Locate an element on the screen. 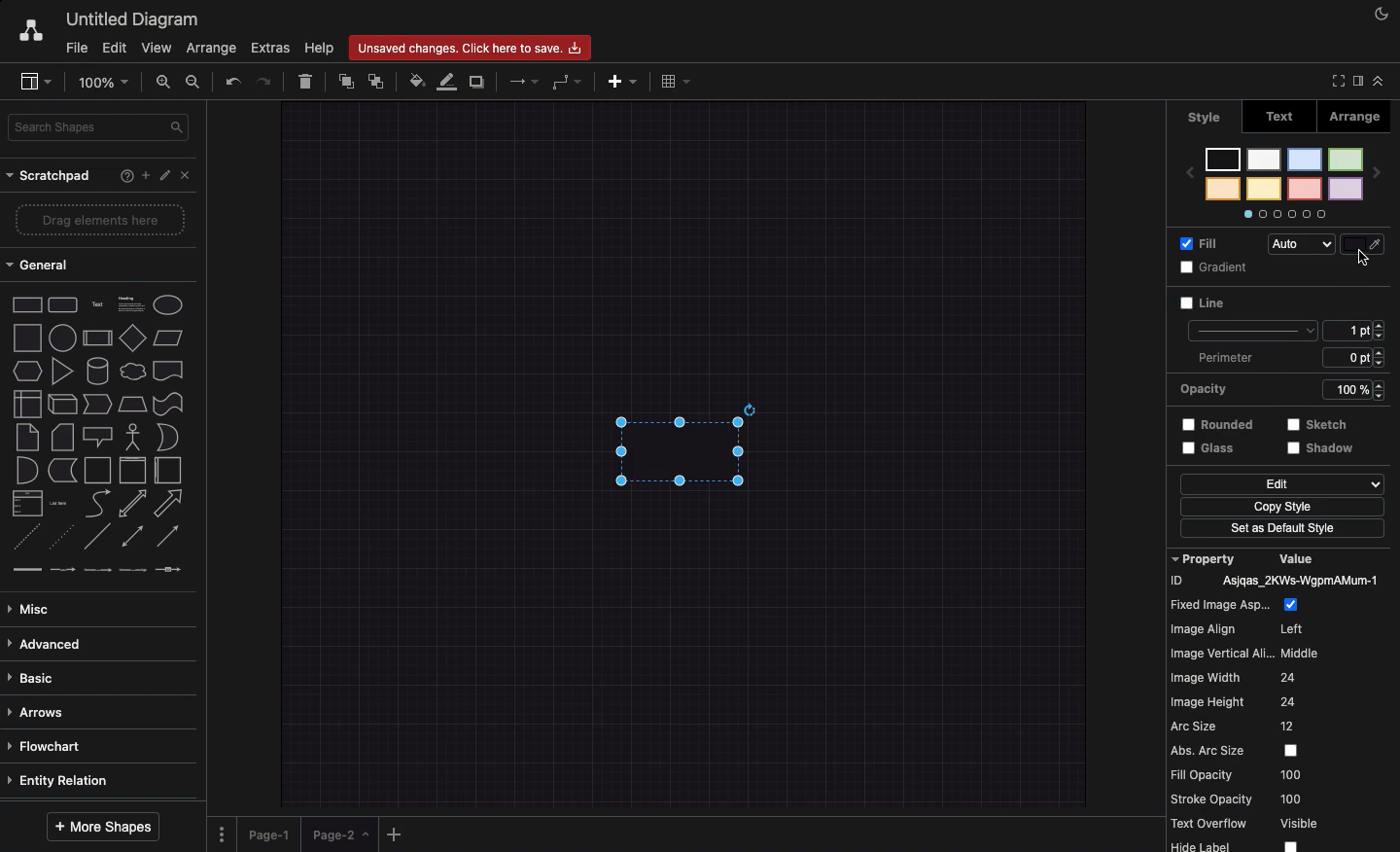 Image resolution: width=1400 pixels, height=852 pixels. list item is located at coordinates (60, 502).